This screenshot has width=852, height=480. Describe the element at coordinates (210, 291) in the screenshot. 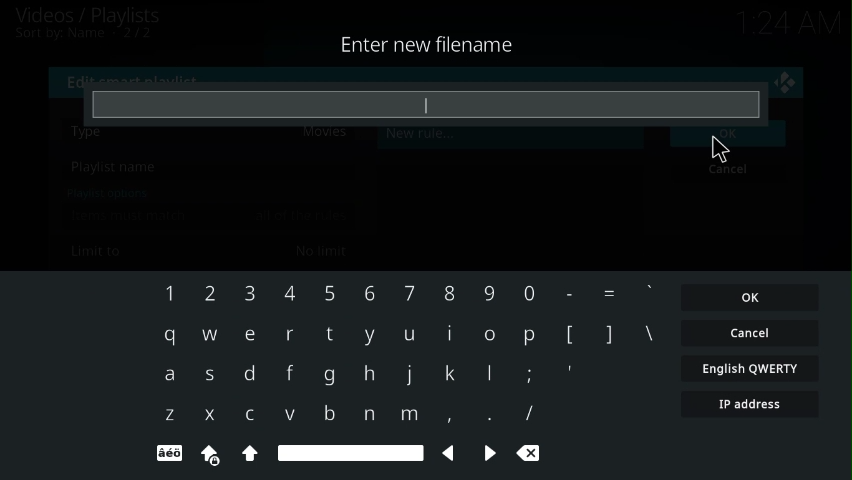

I see `2` at that location.